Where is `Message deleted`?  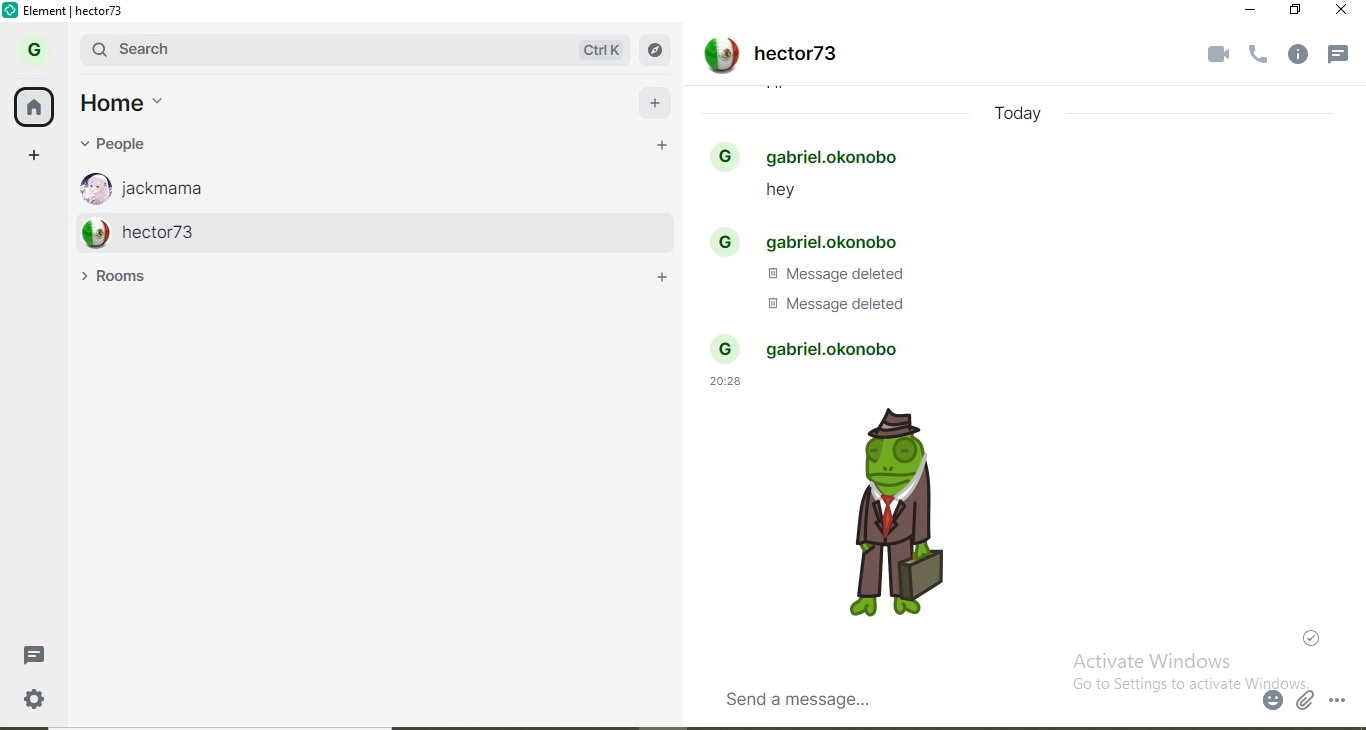 Message deleted is located at coordinates (827, 302).